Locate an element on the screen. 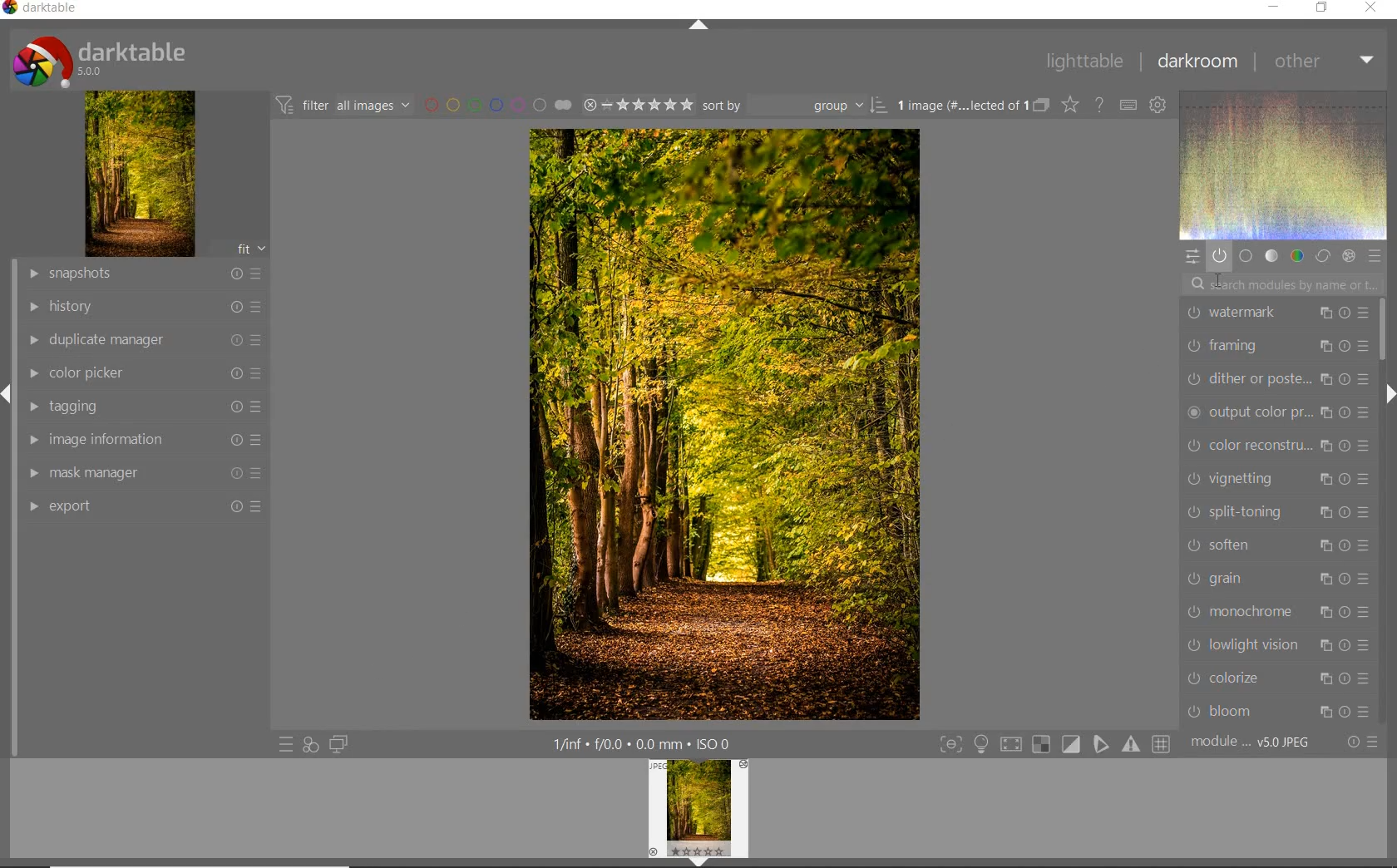  mask manager is located at coordinates (146, 473).